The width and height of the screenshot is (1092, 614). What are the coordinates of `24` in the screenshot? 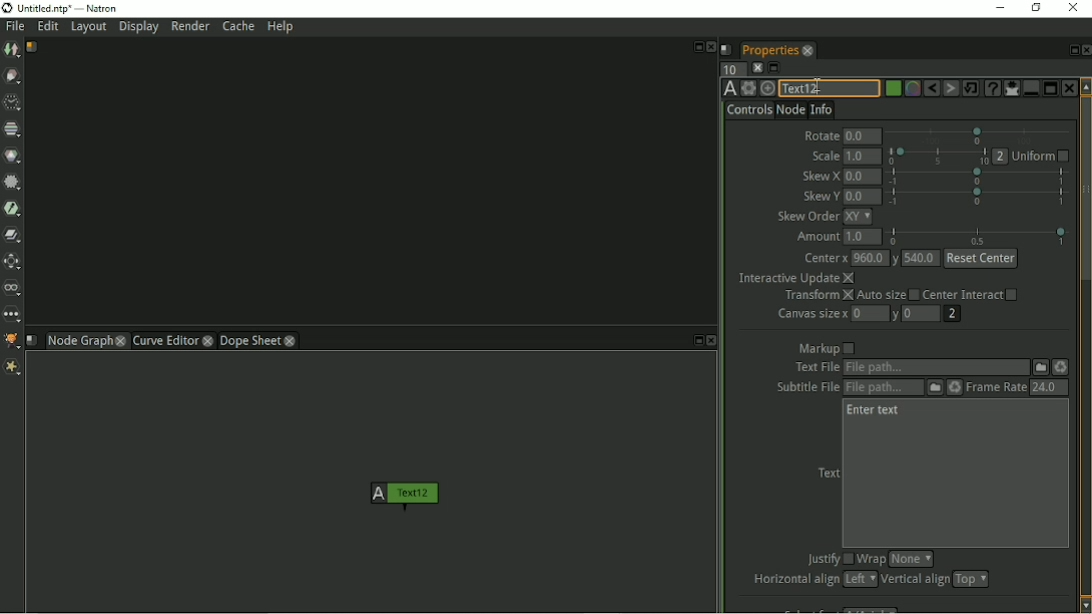 It's located at (1048, 387).